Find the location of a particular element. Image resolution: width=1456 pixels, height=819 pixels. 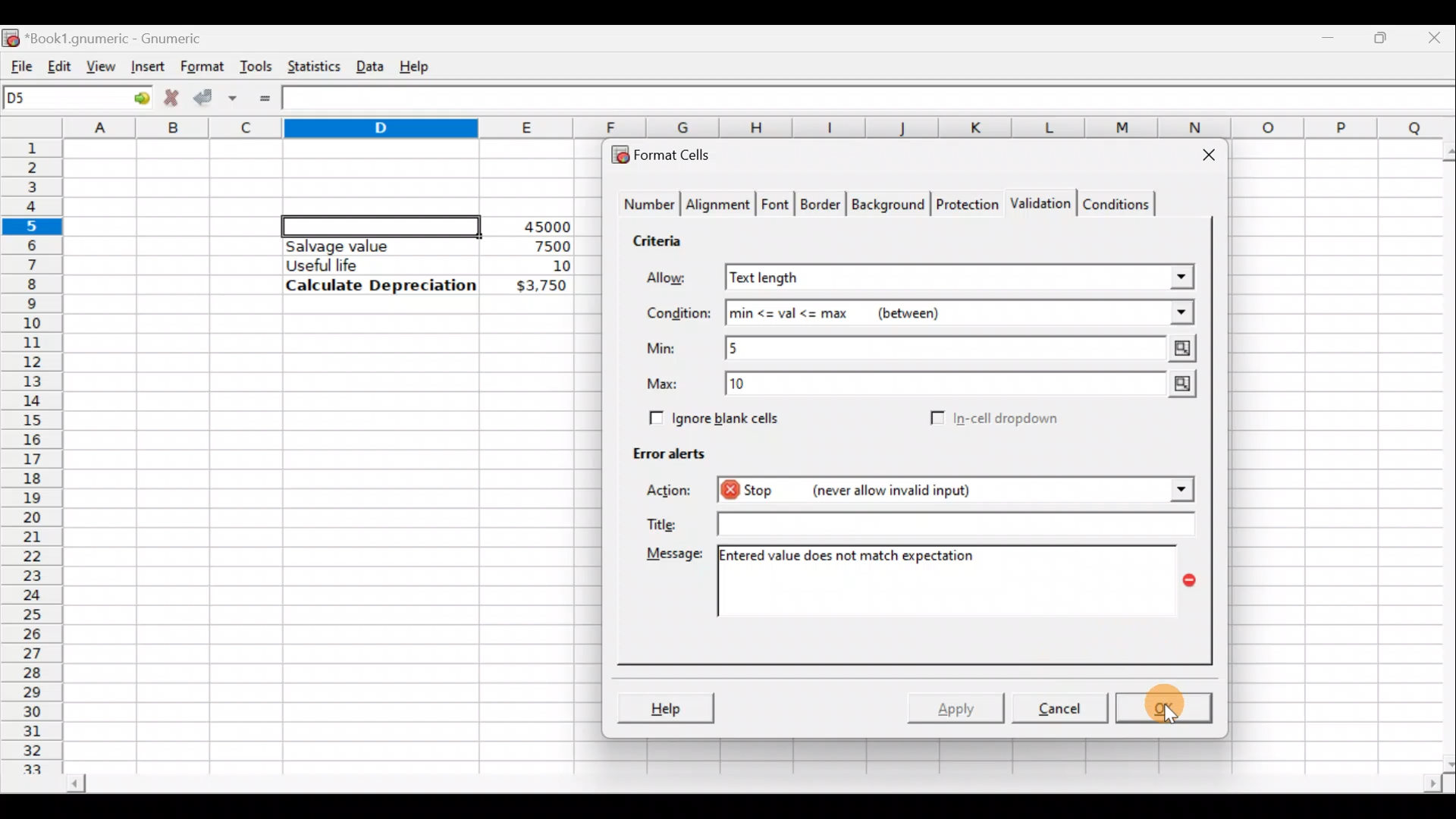

Book1.gnumeric - Gnumeric is located at coordinates (124, 37).